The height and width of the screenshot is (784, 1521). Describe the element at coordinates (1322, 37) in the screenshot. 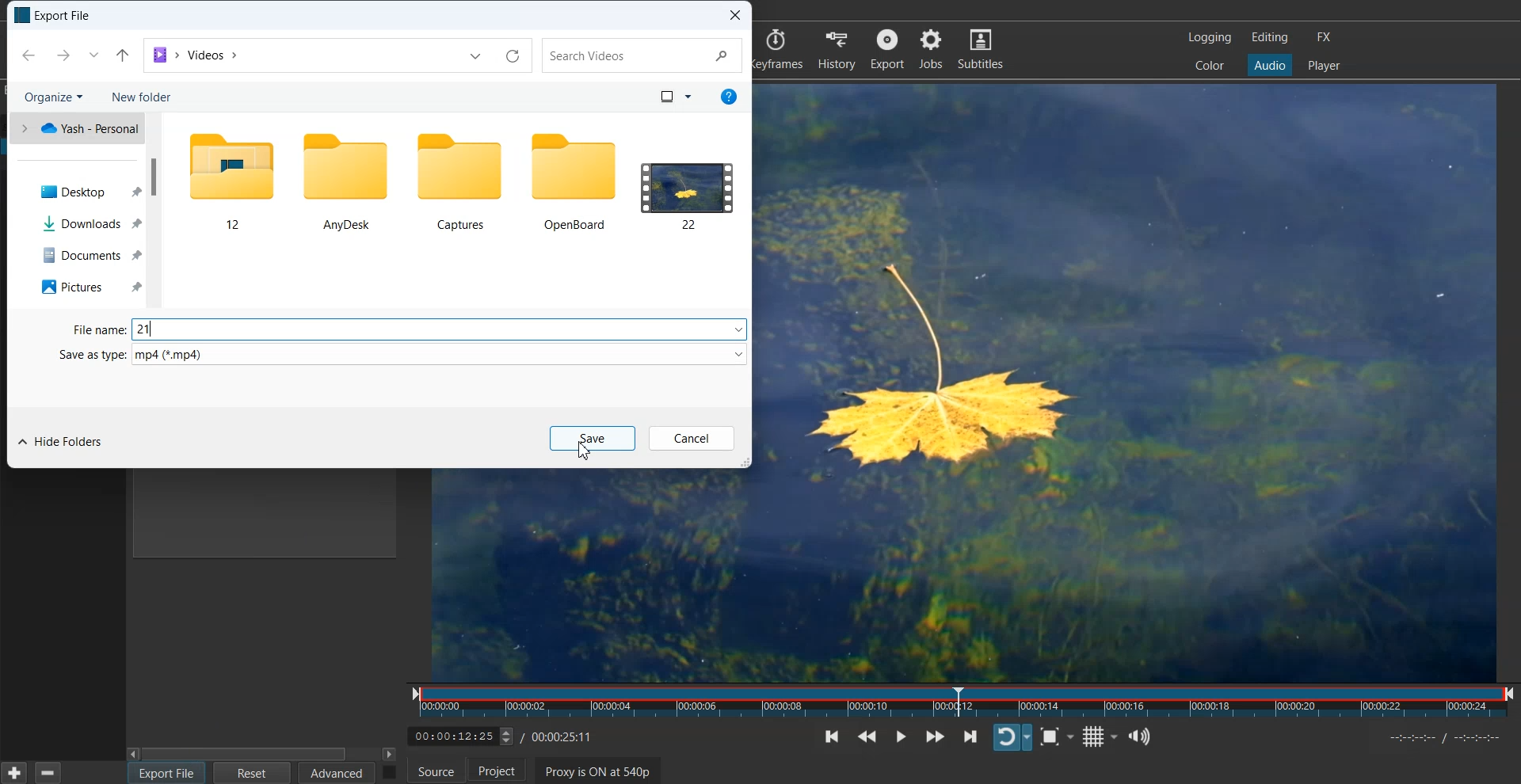

I see `FX` at that location.